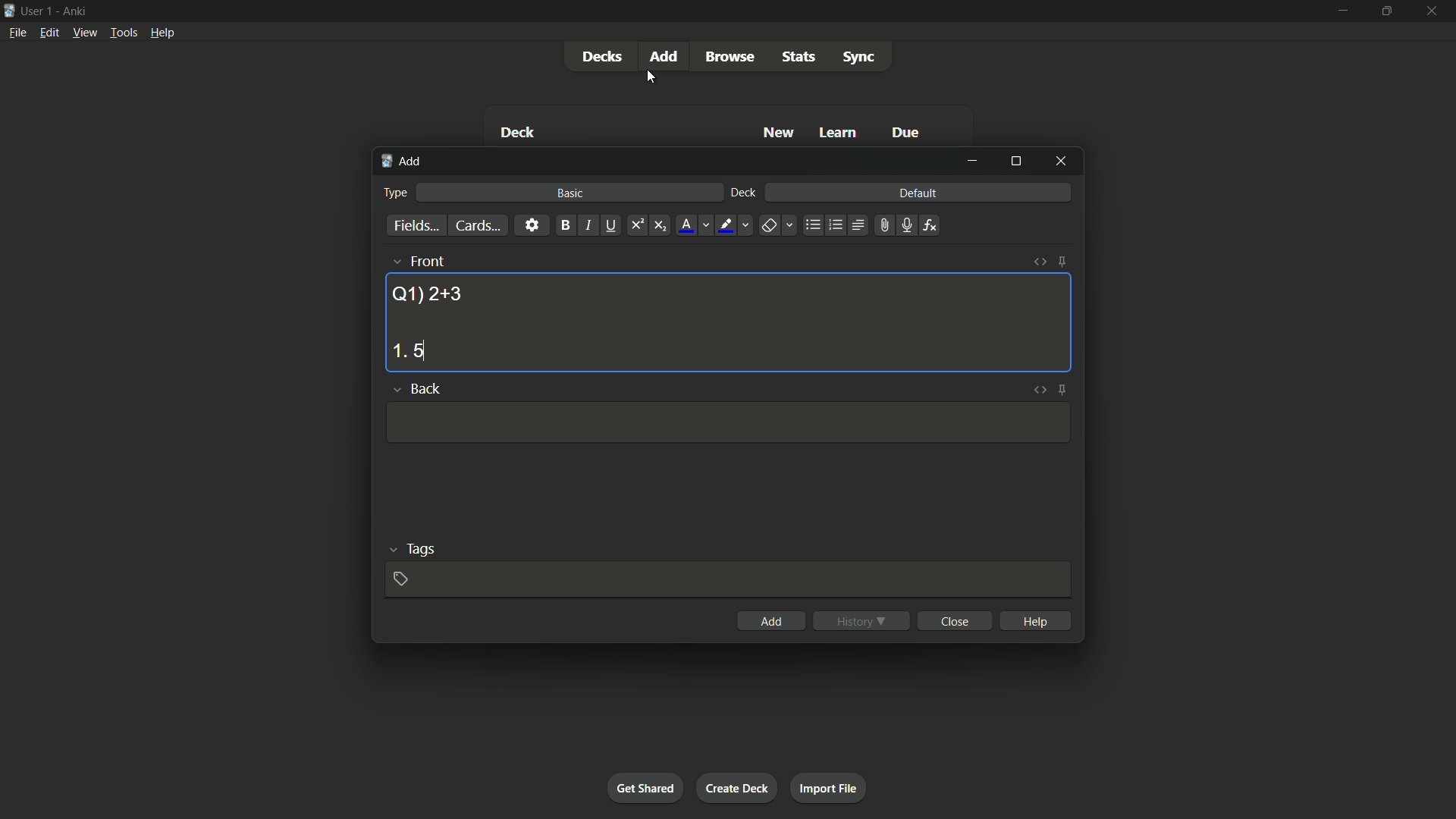 The width and height of the screenshot is (1456, 819). Describe the element at coordinates (403, 162) in the screenshot. I see `add` at that location.